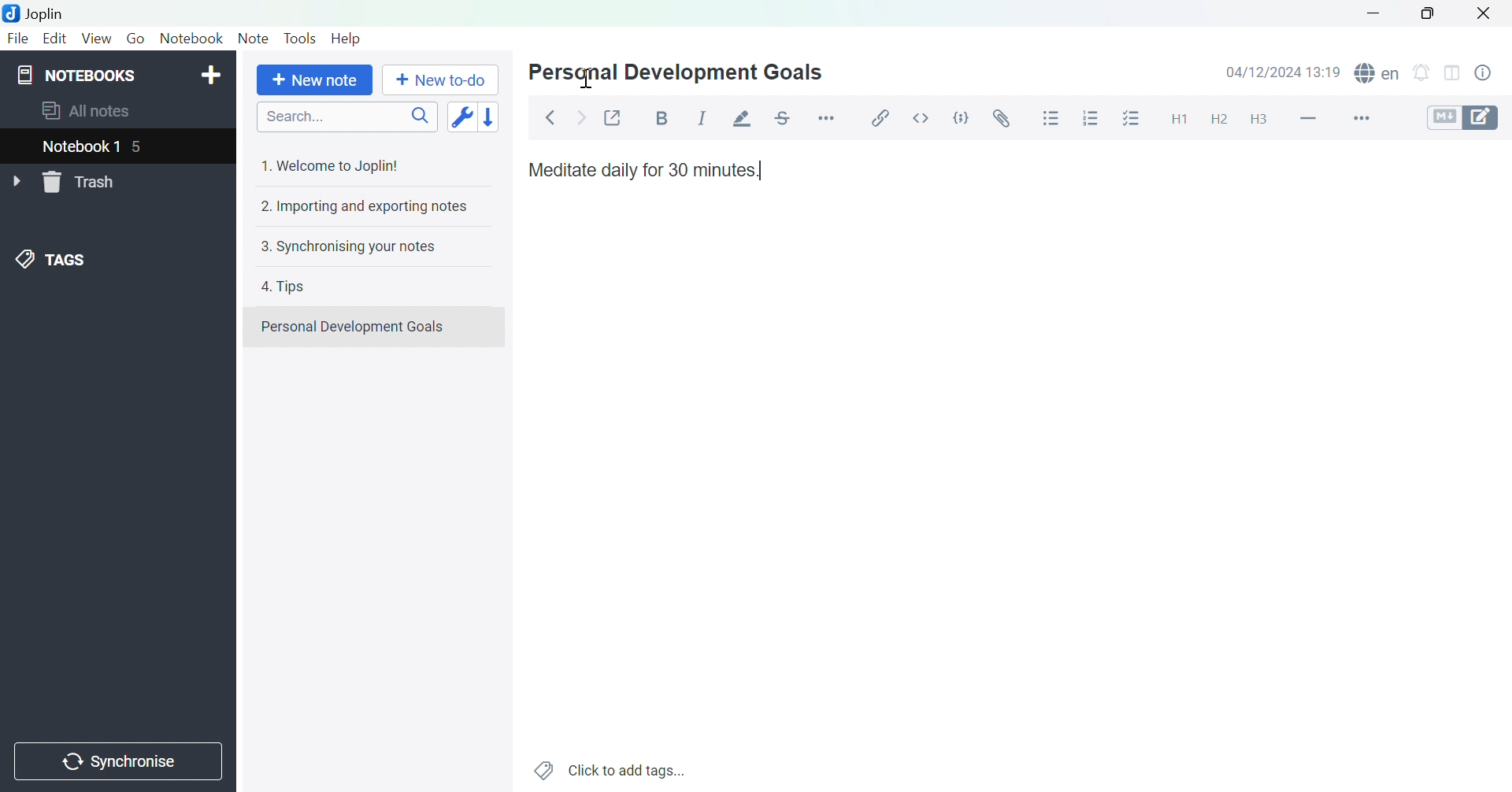 Image resolution: width=1512 pixels, height=792 pixels. Describe the element at coordinates (1429, 17) in the screenshot. I see `Restore Down` at that location.